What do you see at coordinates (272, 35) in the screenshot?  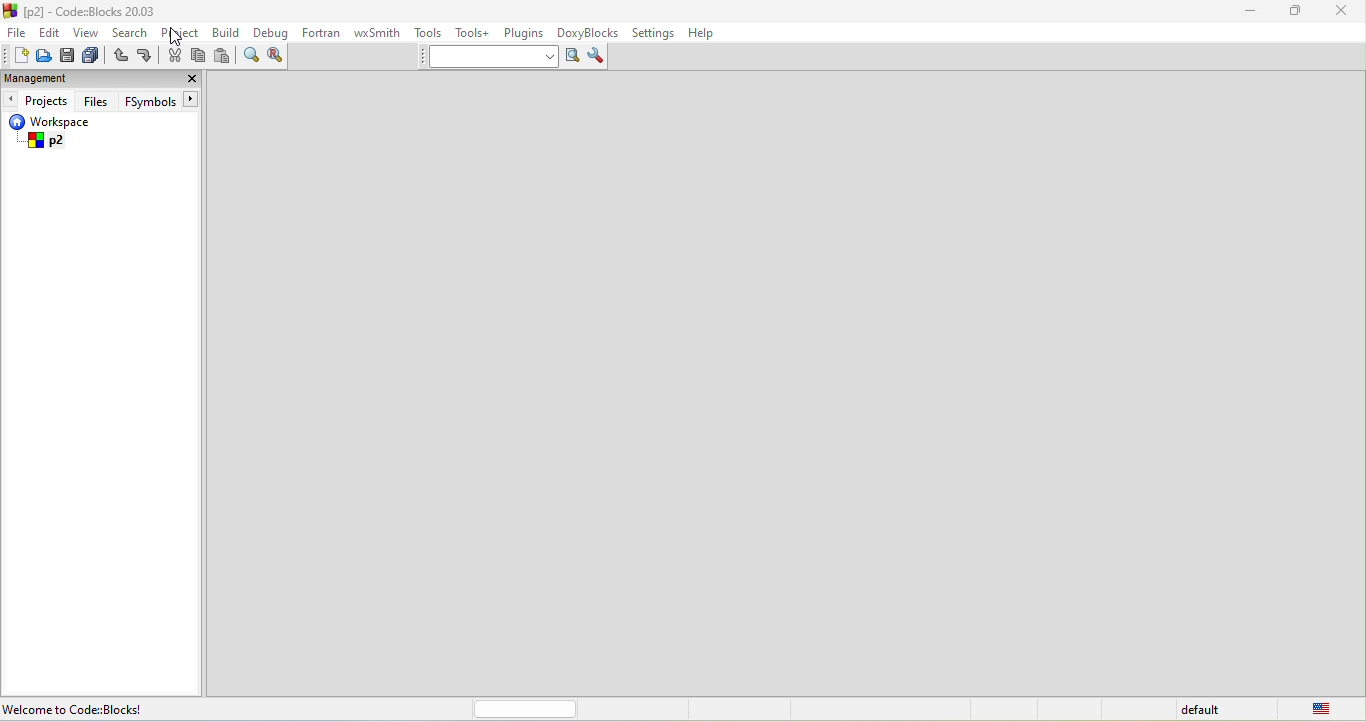 I see `debug` at bounding box center [272, 35].